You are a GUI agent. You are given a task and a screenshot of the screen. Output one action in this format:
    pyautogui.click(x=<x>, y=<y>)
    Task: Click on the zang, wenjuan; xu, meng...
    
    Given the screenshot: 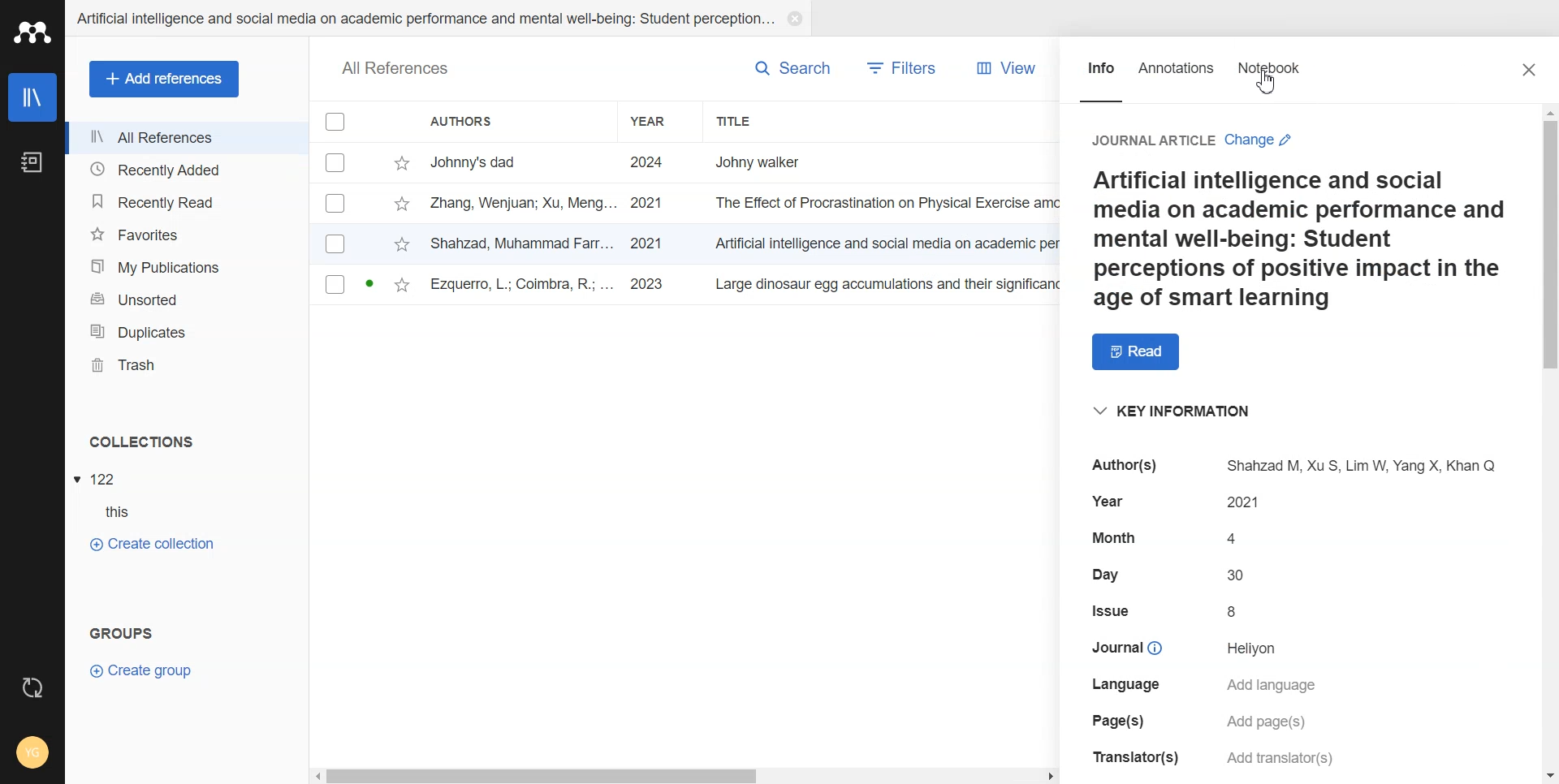 What is the action you would take?
    pyautogui.click(x=524, y=202)
    